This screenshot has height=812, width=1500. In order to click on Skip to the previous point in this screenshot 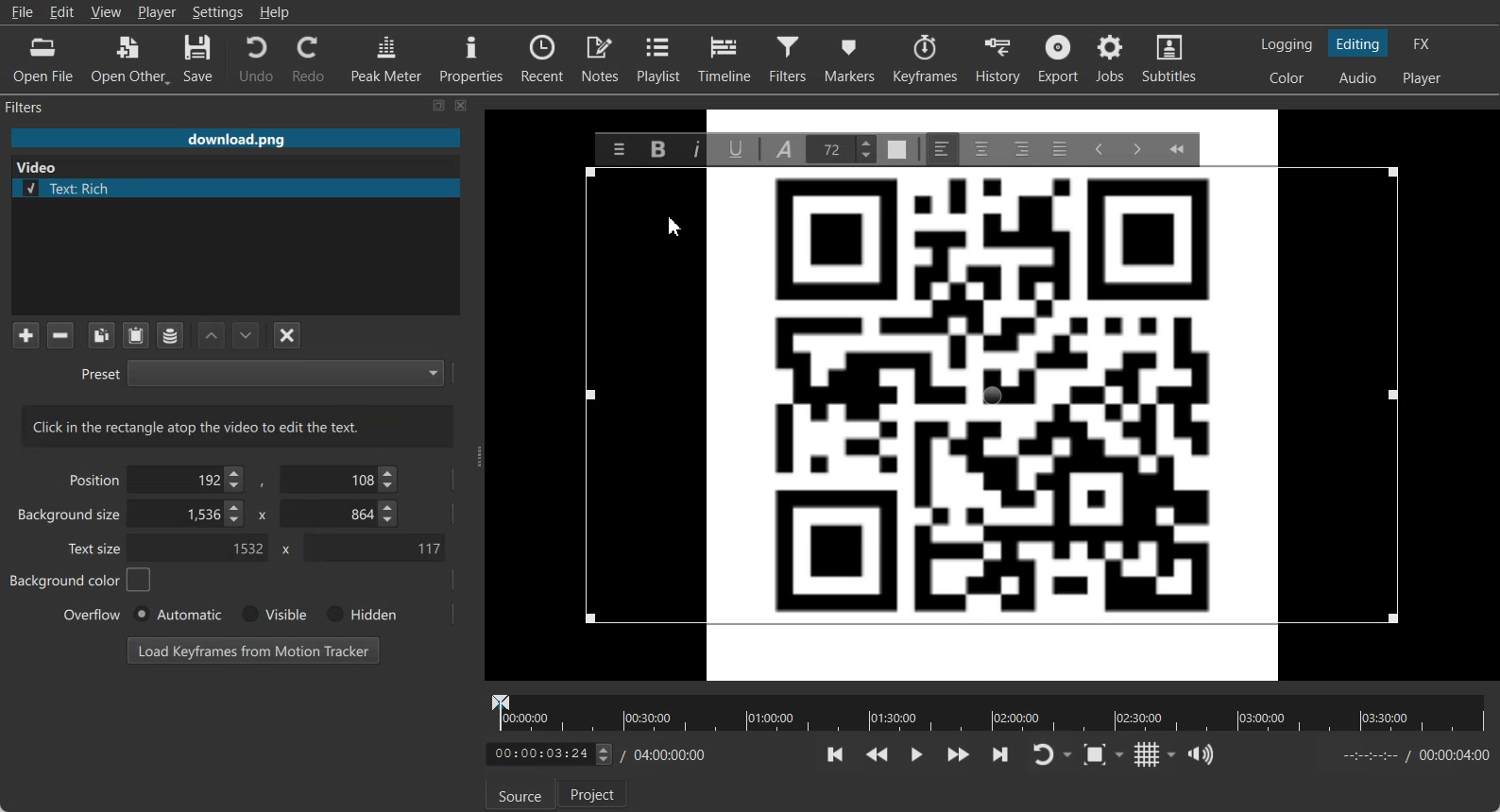, I will do `click(836, 753)`.